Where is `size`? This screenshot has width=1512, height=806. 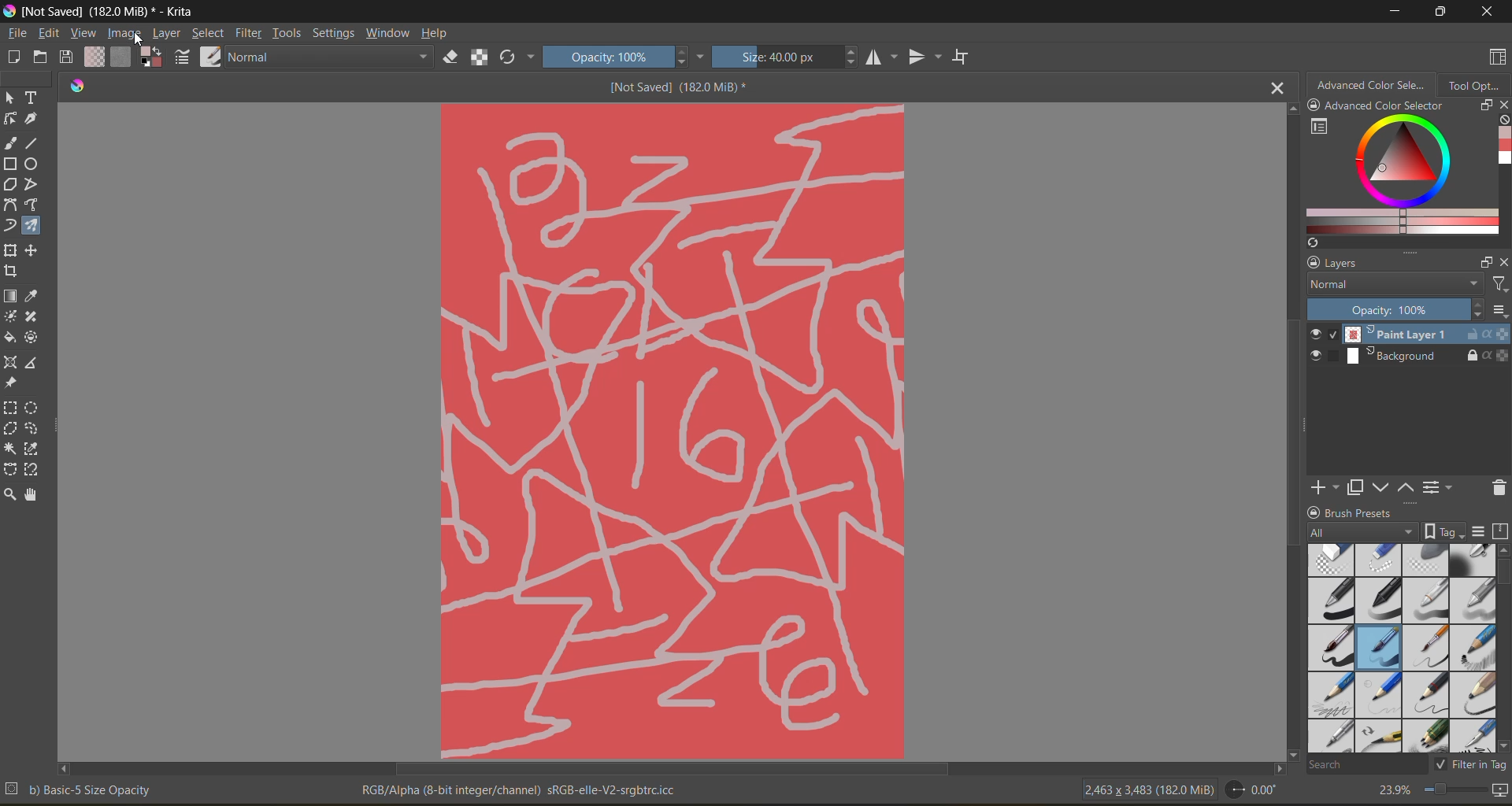
size is located at coordinates (791, 56).